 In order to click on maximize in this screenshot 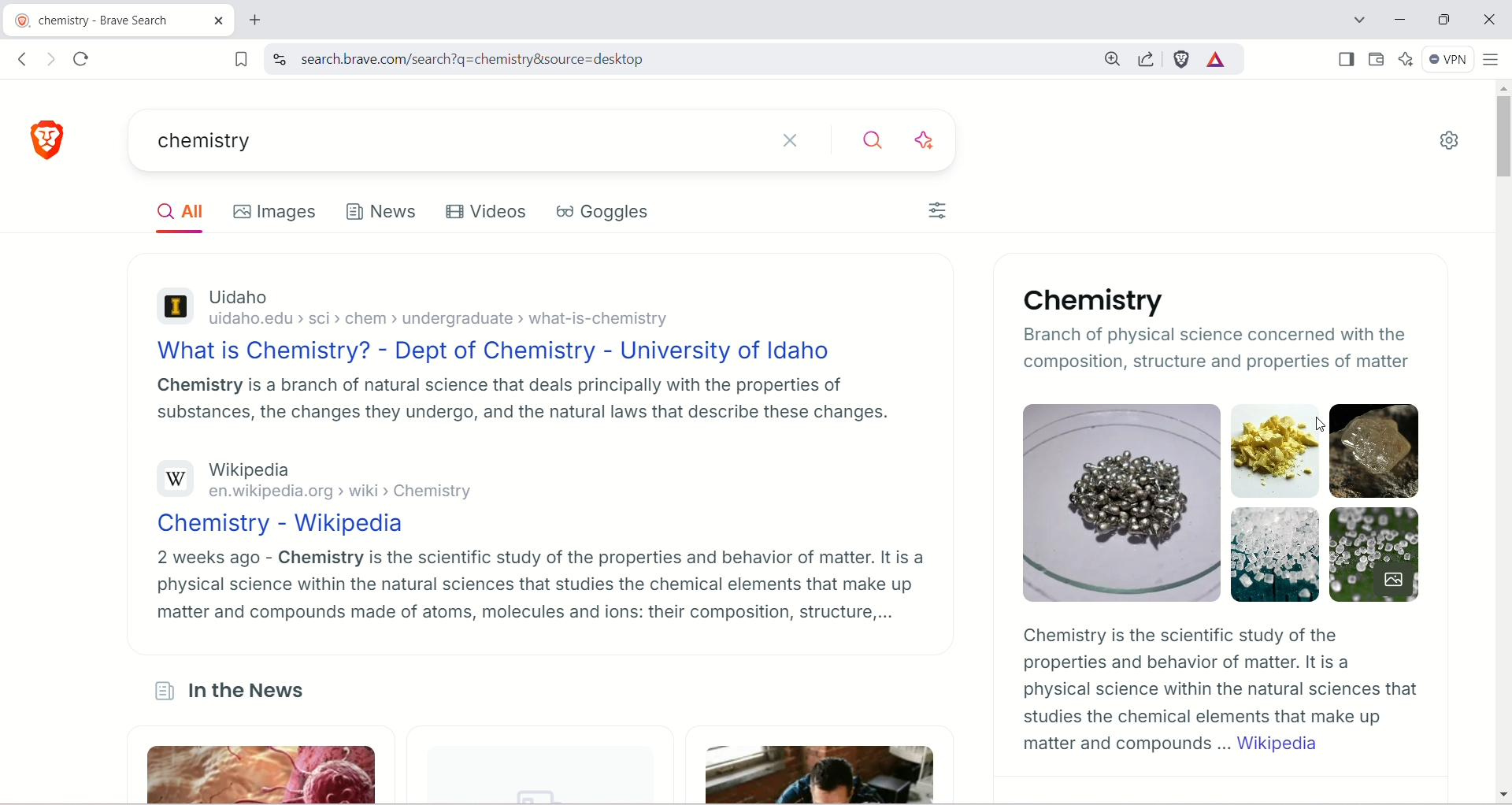, I will do `click(1447, 18)`.